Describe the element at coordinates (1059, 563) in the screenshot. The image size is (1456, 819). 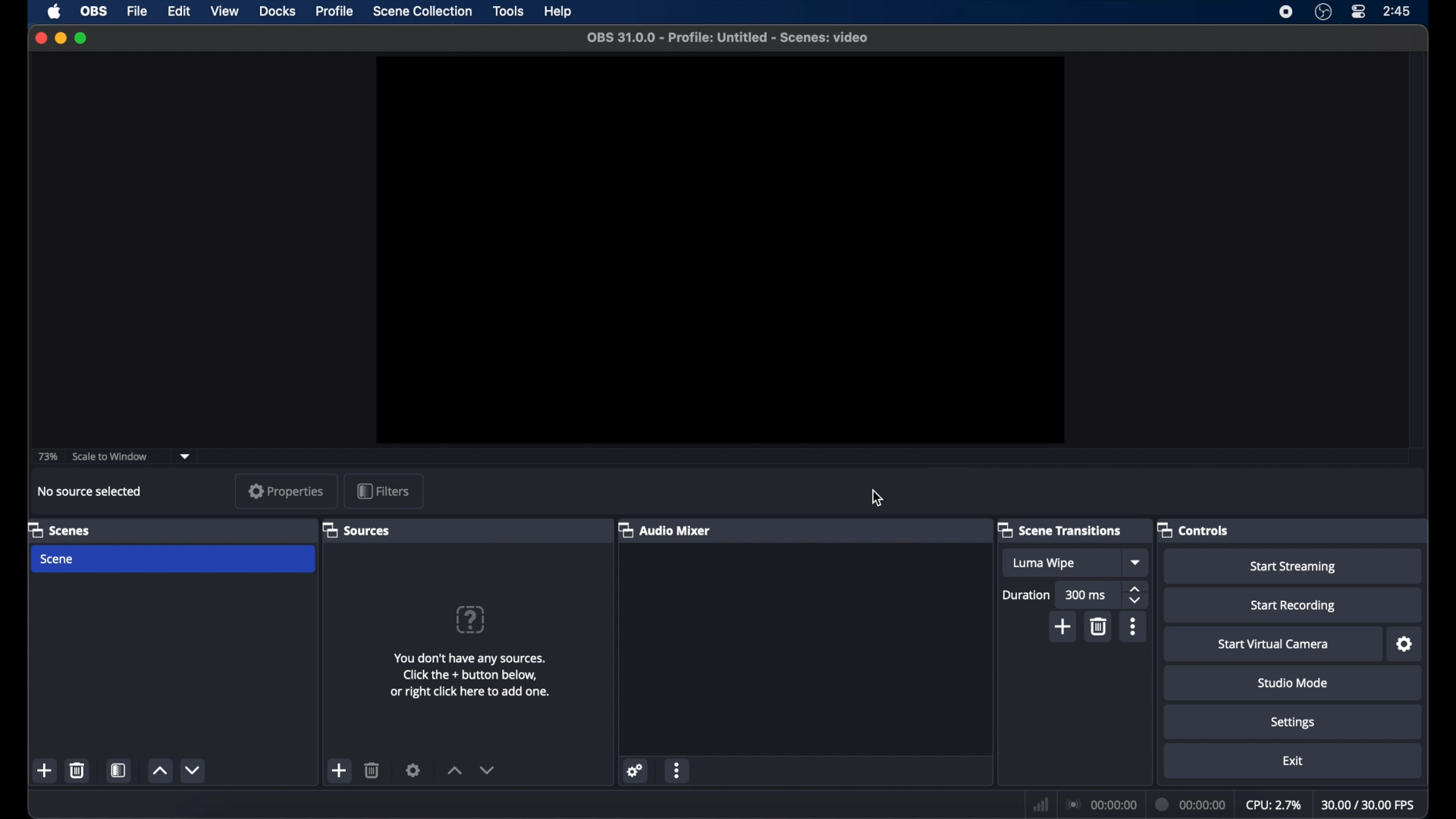
I see `luma wipe` at that location.